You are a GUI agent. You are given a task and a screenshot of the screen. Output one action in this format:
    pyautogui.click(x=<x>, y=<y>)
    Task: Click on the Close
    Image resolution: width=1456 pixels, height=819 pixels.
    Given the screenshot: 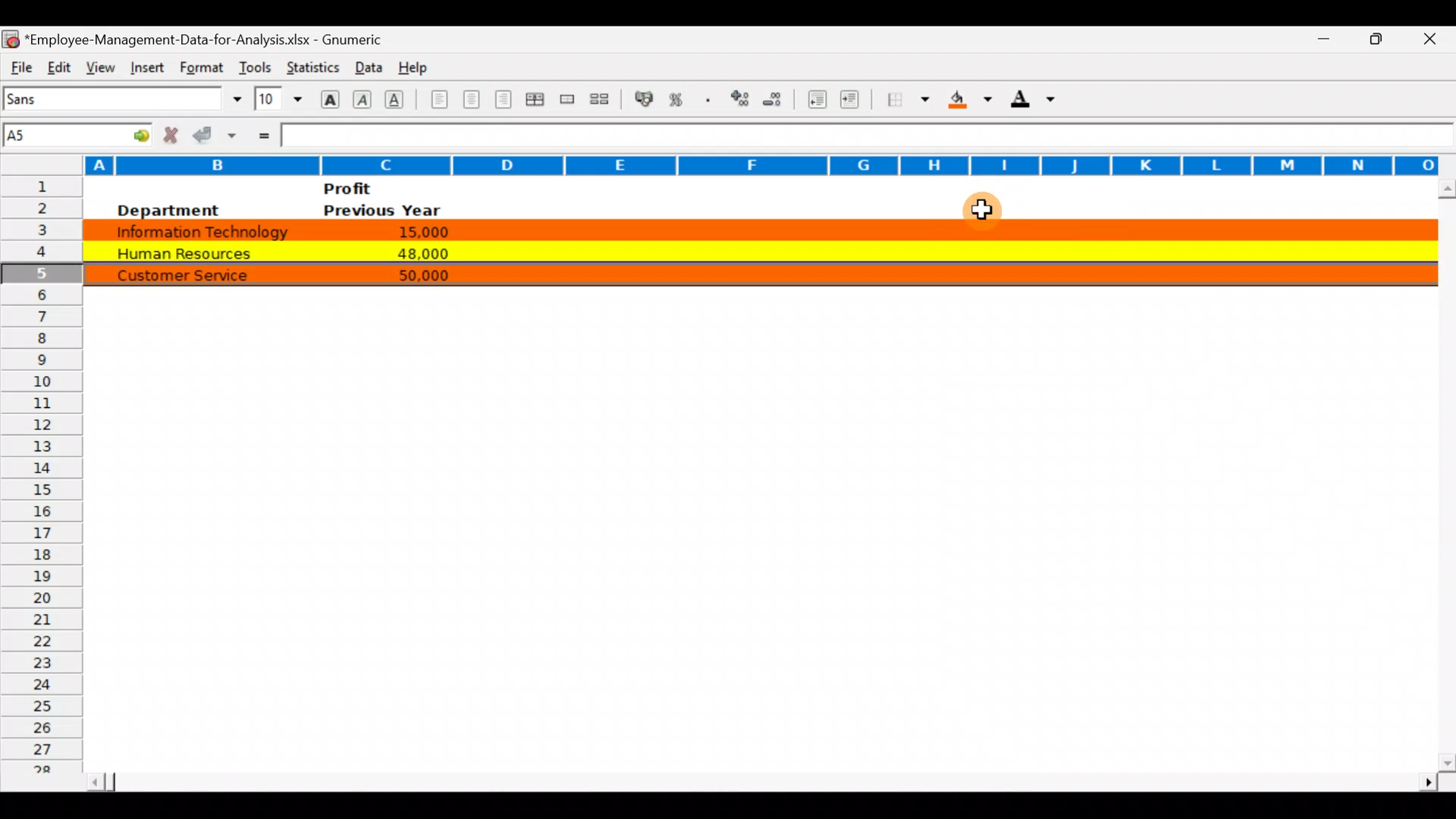 What is the action you would take?
    pyautogui.click(x=1435, y=40)
    